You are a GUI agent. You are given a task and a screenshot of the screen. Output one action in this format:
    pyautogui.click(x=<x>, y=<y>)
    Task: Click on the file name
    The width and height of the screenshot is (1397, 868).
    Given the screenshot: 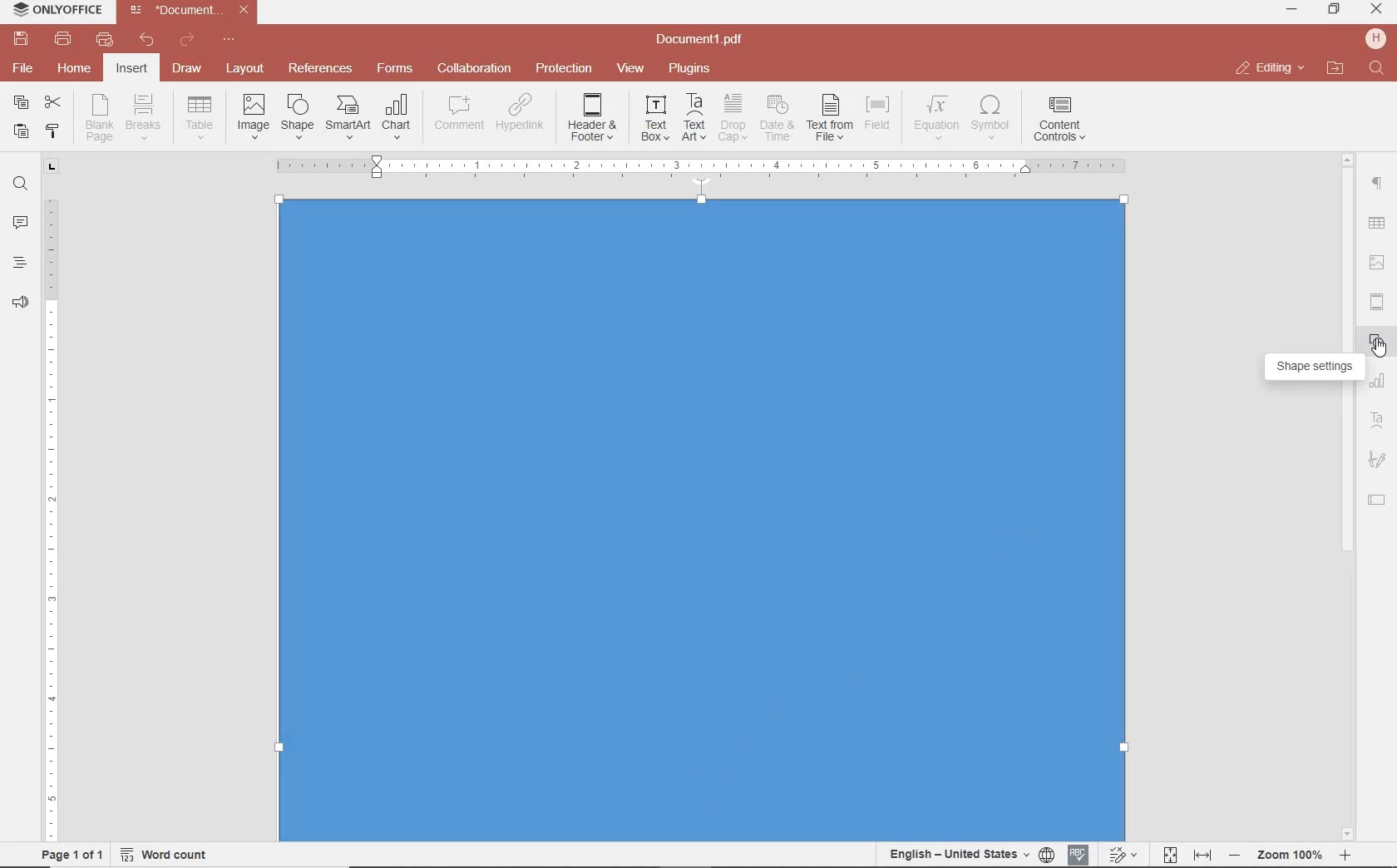 What is the action you would take?
    pyautogui.click(x=704, y=40)
    